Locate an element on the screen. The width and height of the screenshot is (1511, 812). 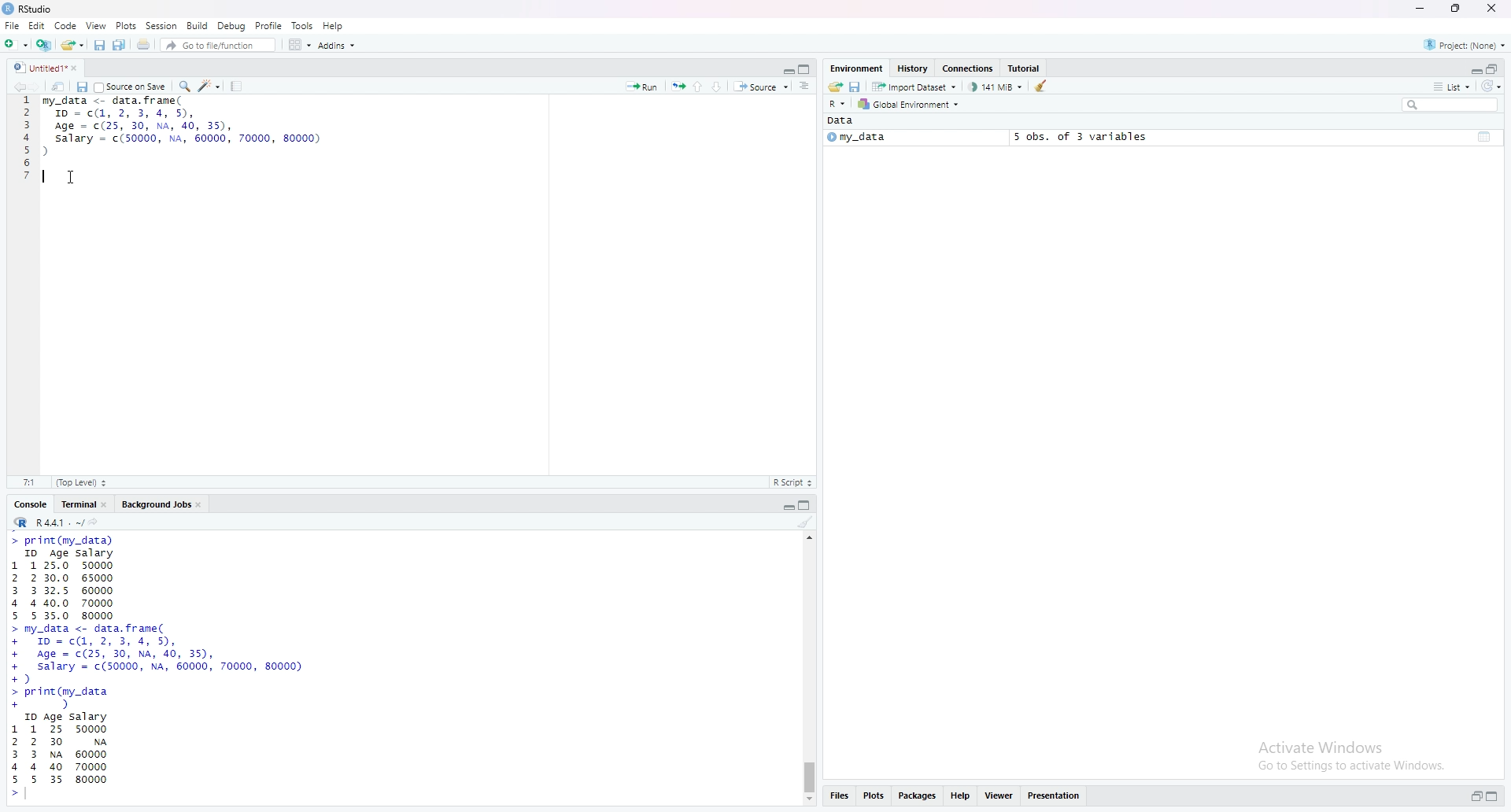
Addins is located at coordinates (338, 46).